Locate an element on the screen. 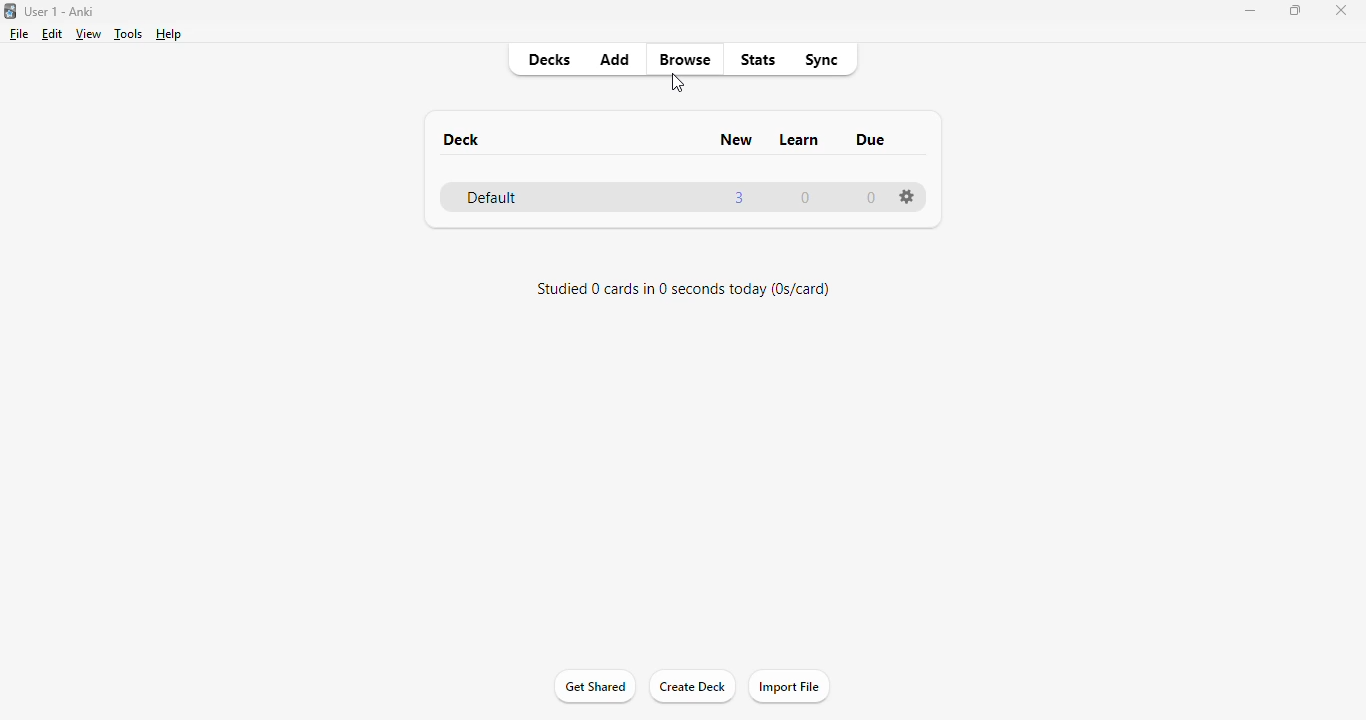  User 1- Anki is located at coordinates (62, 12).